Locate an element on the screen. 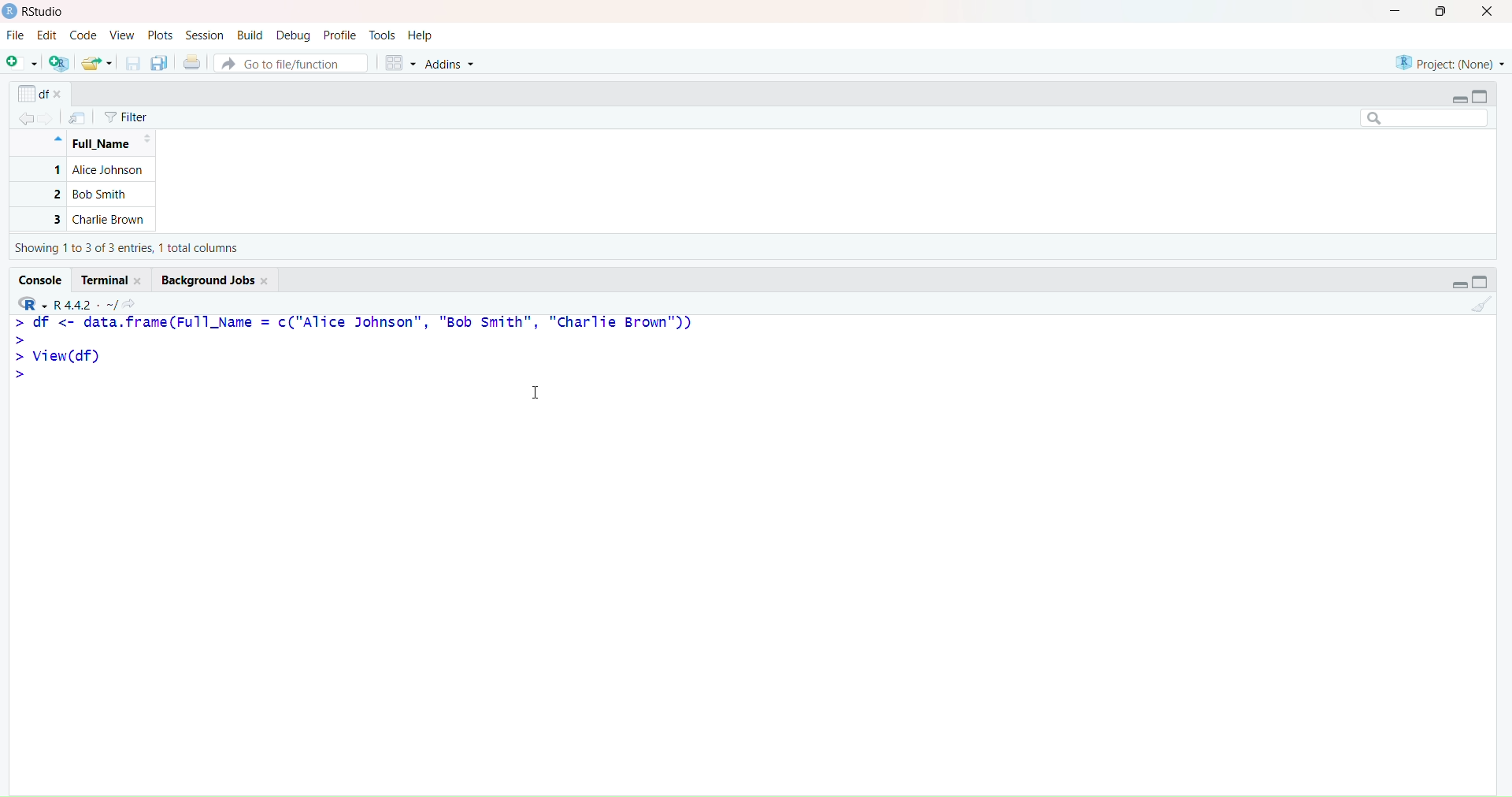 The width and height of the screenshot is (1512, 797). Maximize is located at coordinates (1441, 14).